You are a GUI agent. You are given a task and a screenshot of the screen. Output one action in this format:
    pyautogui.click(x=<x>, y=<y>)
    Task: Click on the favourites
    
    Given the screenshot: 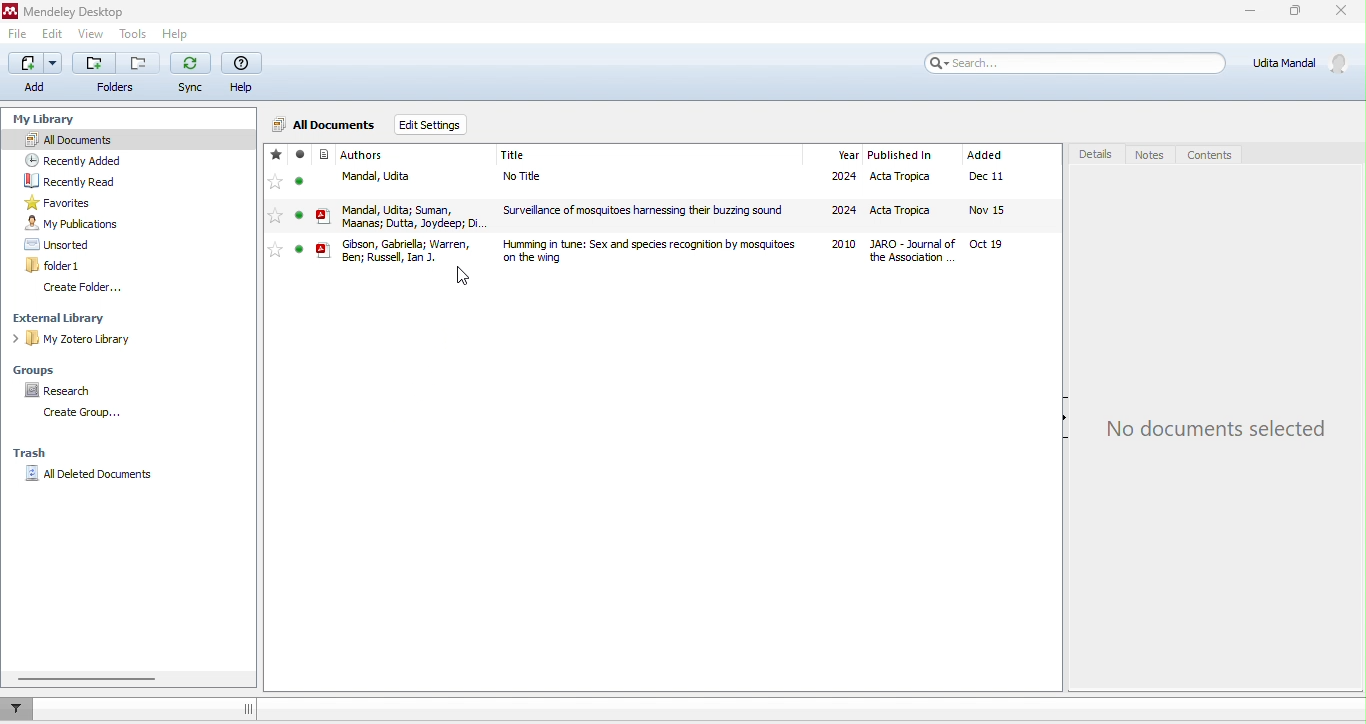 What is the action you would take?
    pyautogui.click(x=63, y=203)
    